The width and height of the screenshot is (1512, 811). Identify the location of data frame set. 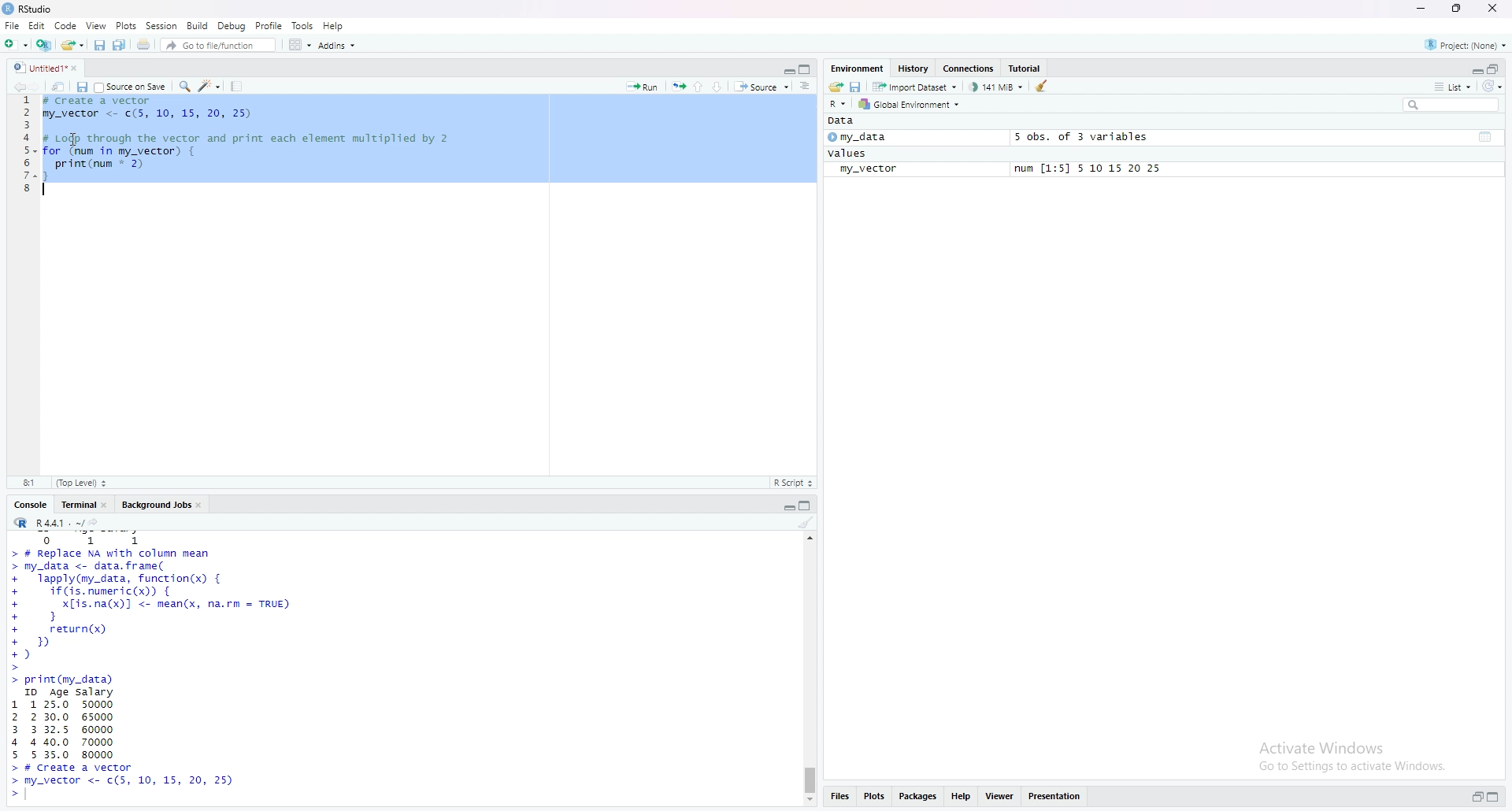
(152, 668).